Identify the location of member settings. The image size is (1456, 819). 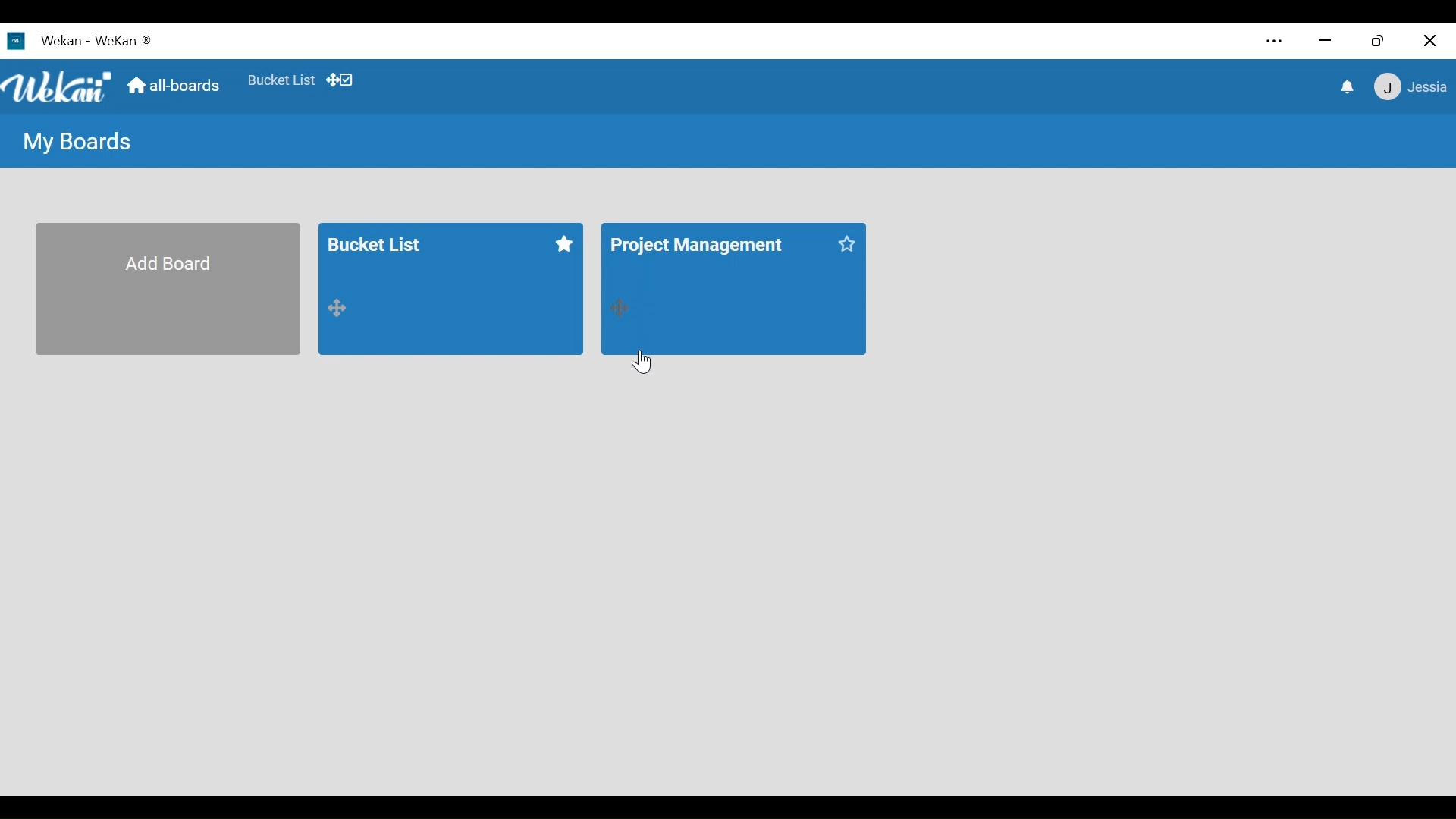
(1410, 86).